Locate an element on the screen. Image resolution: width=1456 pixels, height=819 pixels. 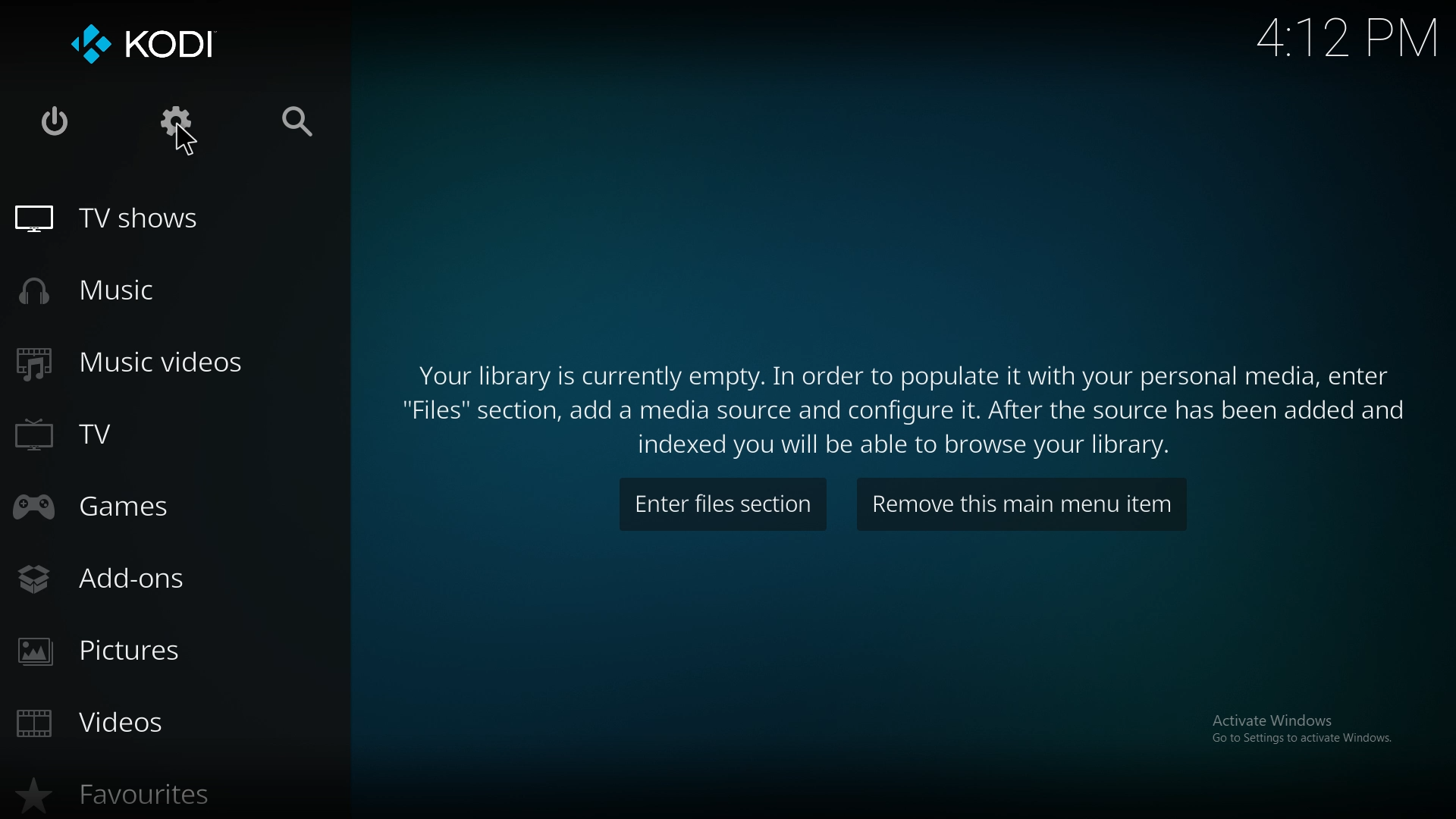
tv is located at coordinates (106, 434).